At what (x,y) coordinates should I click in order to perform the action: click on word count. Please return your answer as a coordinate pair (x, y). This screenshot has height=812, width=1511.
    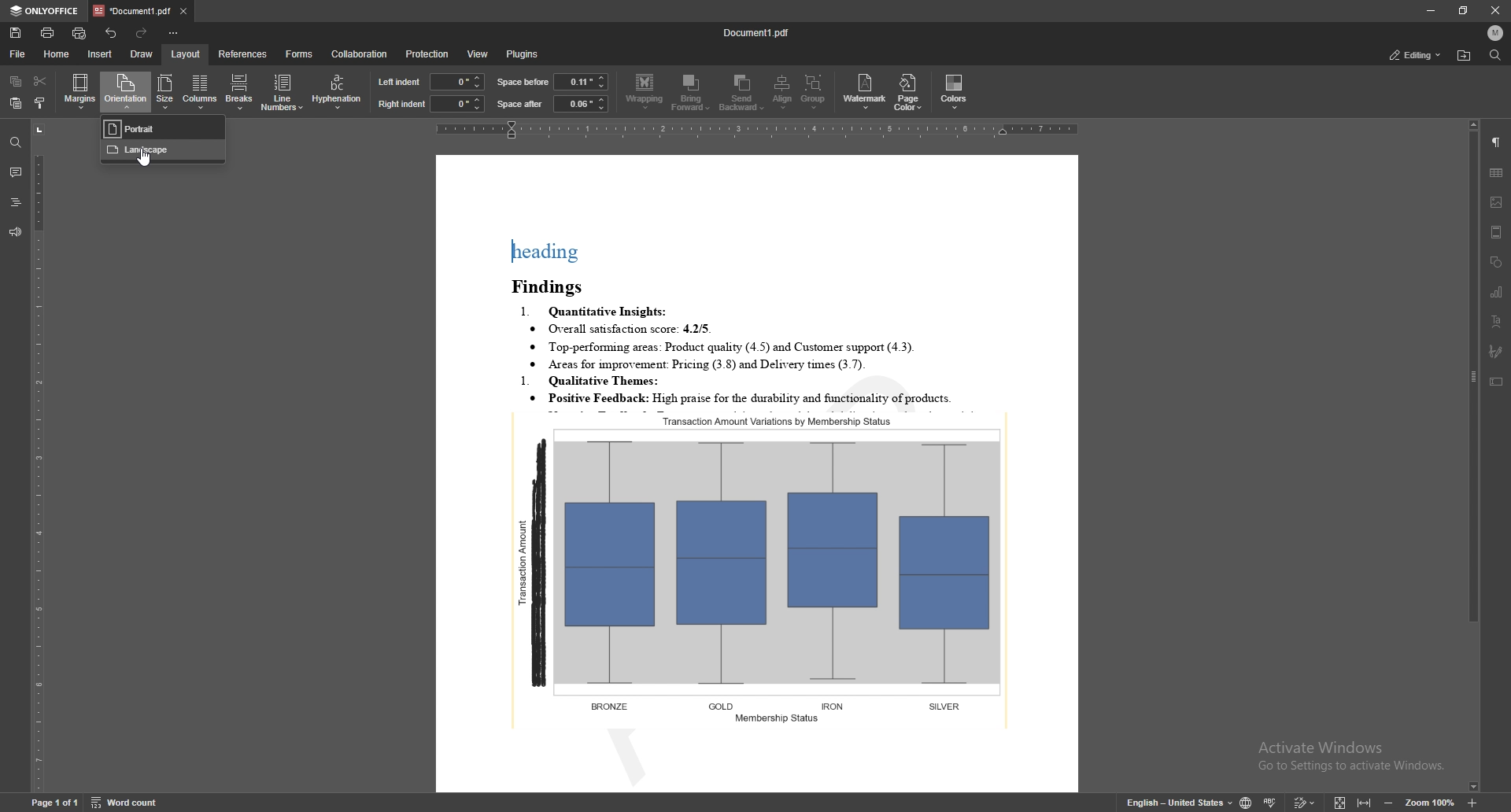
    Looking at the image, I should click on (126, 802).